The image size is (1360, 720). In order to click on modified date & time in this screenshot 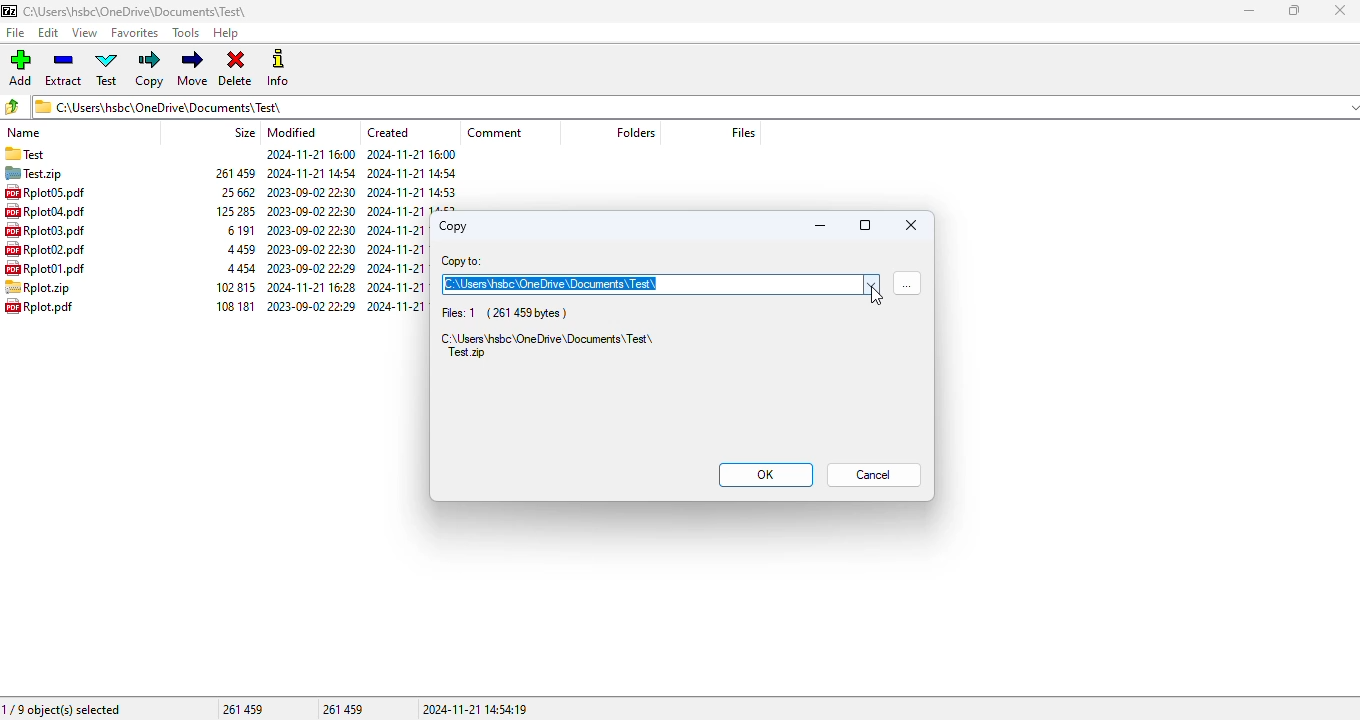, I will do `click(312, 212)`.